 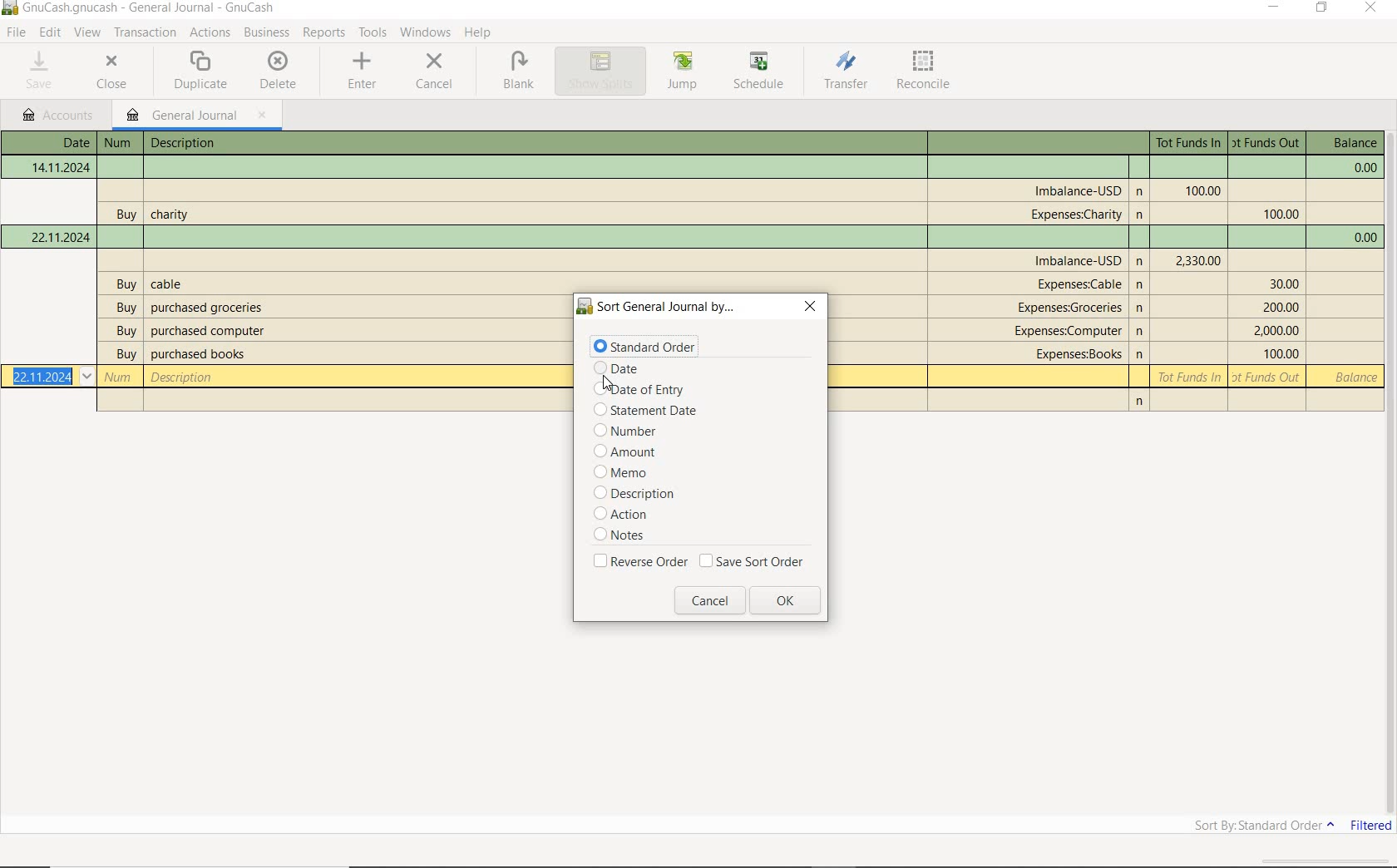 What do you see at coordinates (89, 33) in the screenshot?
I see `VIEW` at bounding box center [89, 33].